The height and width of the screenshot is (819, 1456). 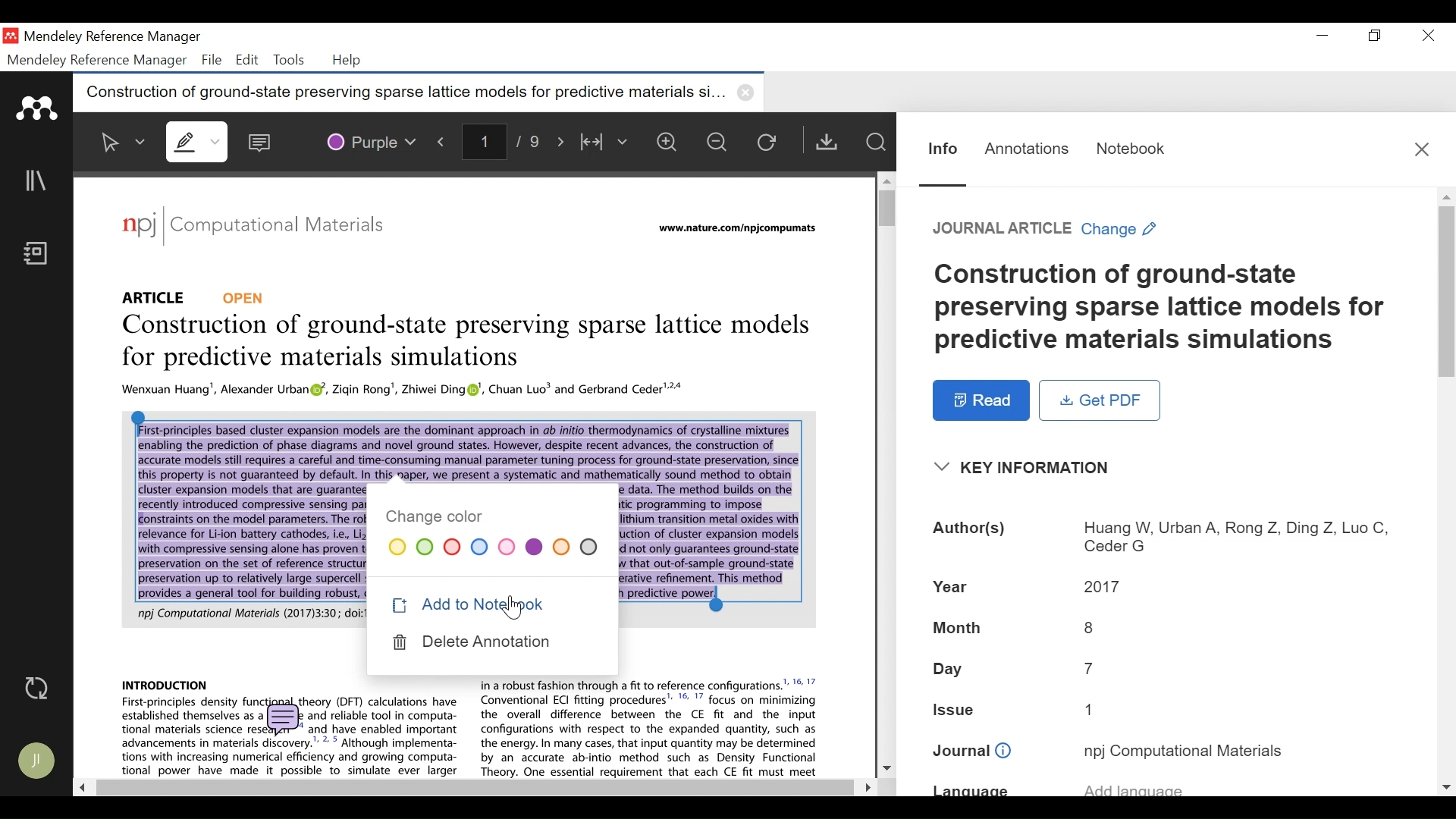 I want to click on Scroll down, so click(x=886, y=766).